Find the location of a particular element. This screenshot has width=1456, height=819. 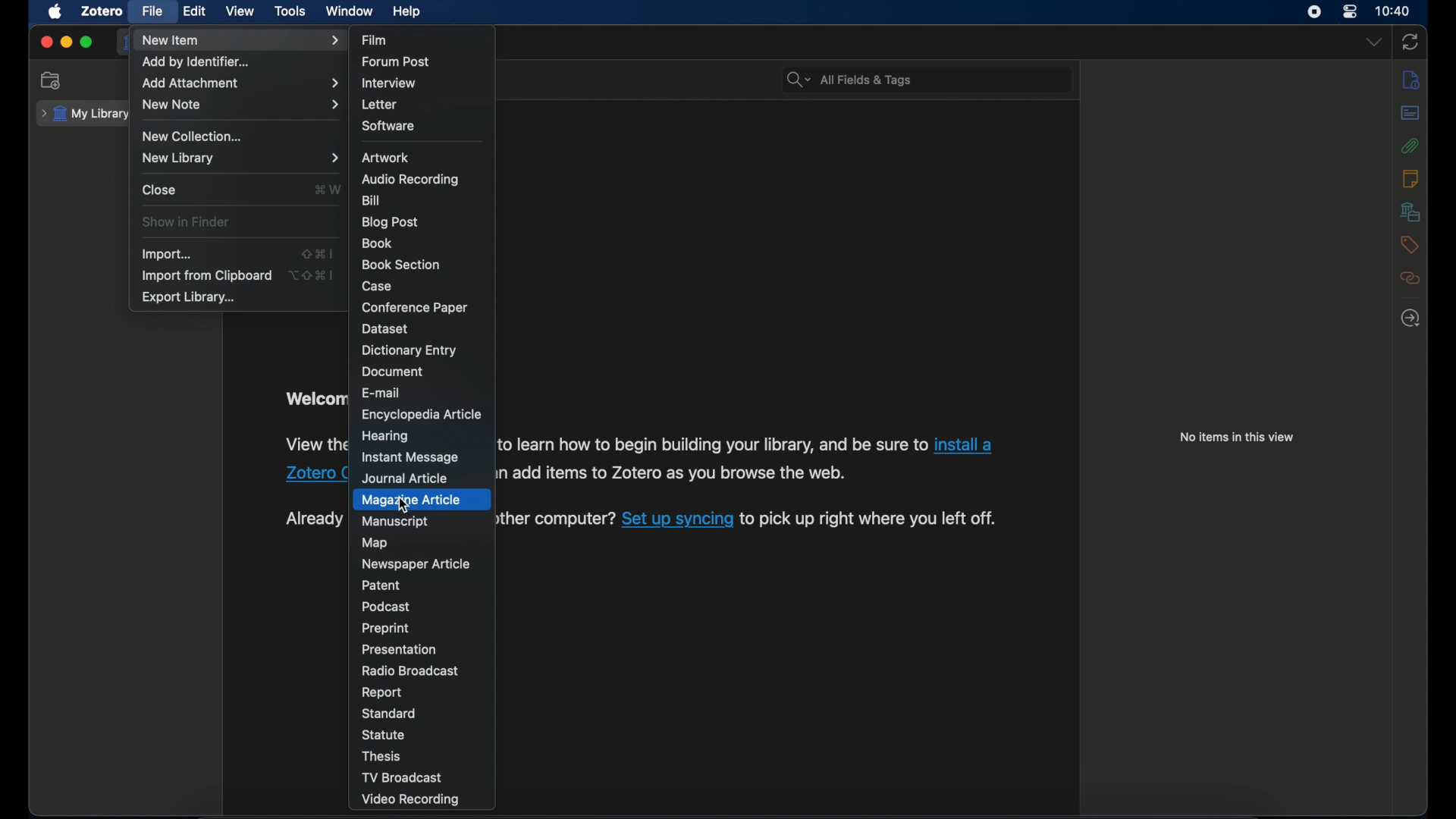

another computer? is located at coordinates (555, 518).